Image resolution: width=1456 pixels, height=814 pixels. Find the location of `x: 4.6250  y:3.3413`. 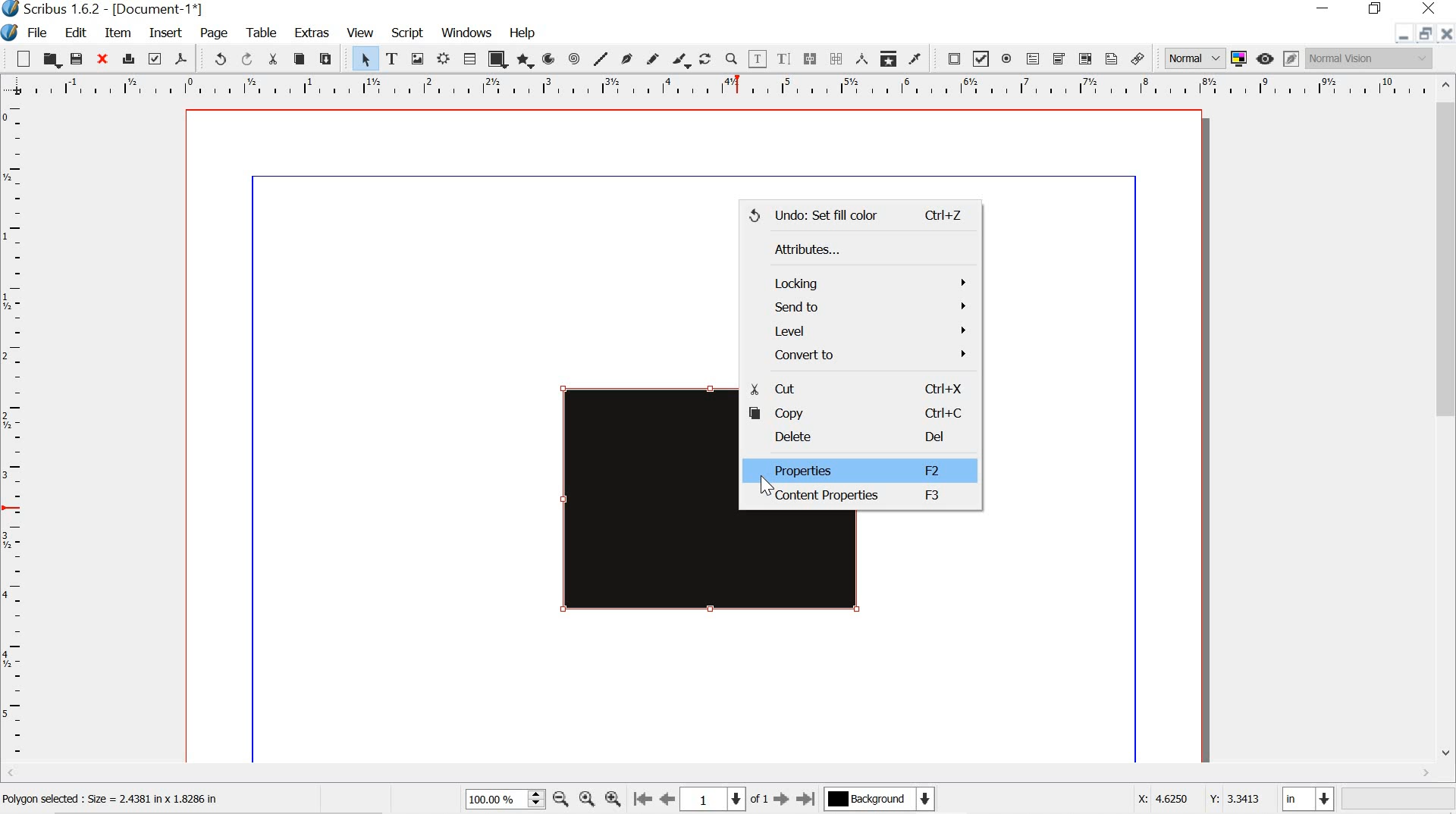

x: 4.6250  y:3.3413 is located at coordinates (1197, 798).